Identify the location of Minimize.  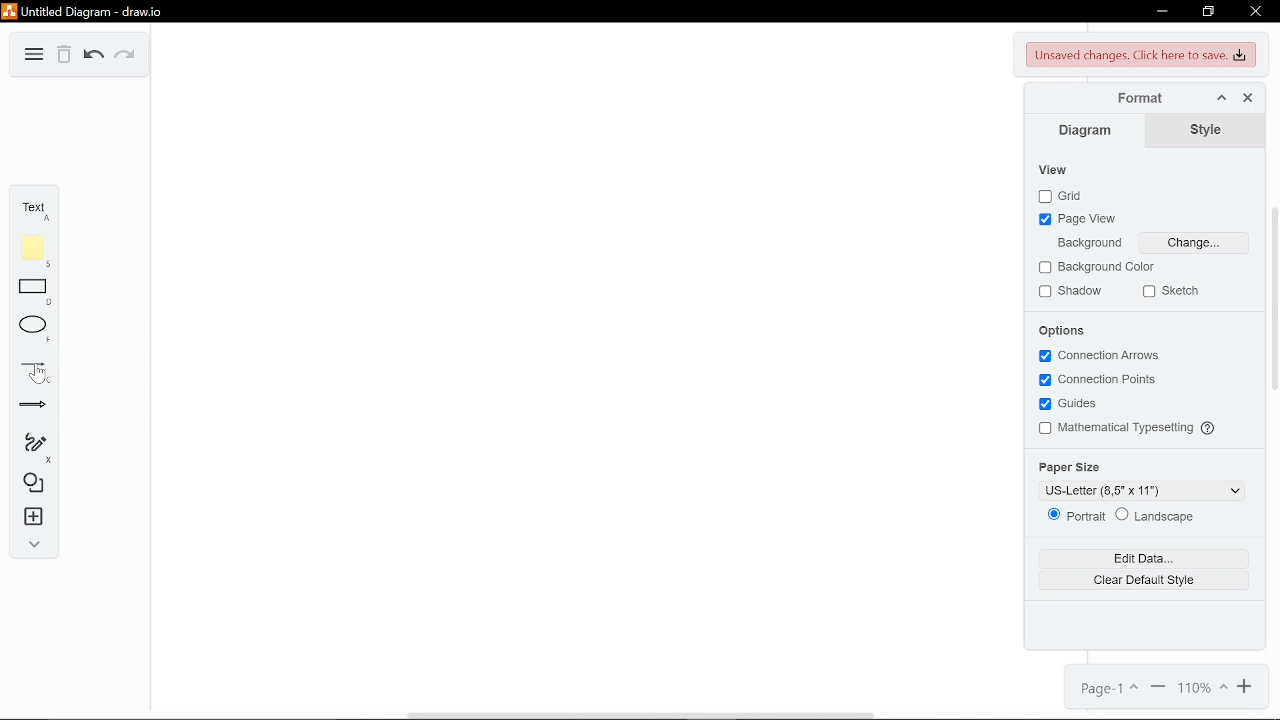
(1160, 11).